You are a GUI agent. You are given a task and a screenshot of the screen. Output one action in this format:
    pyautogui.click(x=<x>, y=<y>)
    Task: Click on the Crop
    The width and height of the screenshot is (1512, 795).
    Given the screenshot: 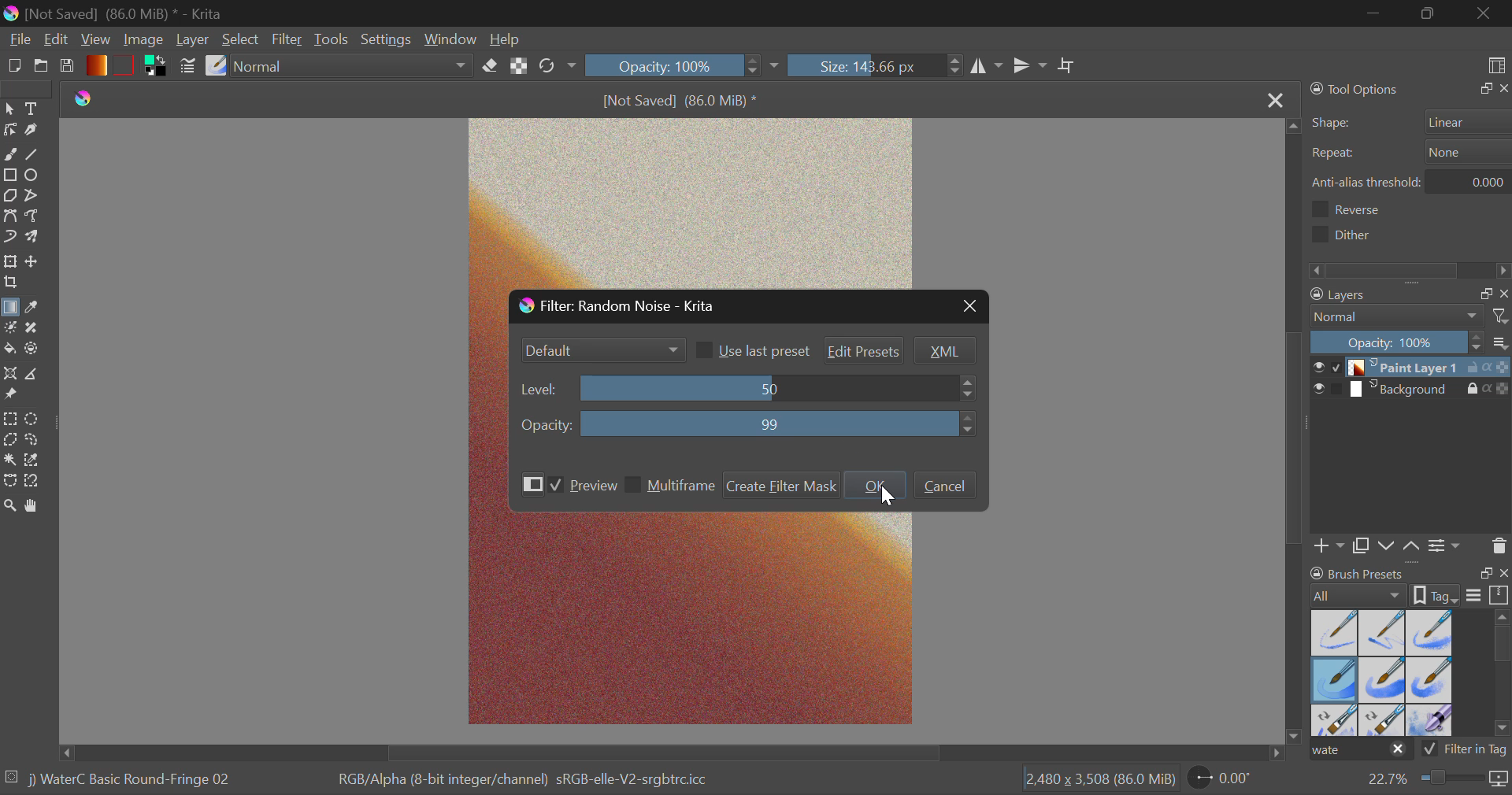 What is the action you would take?
    pyautogui.click(x=10, y=284)
    